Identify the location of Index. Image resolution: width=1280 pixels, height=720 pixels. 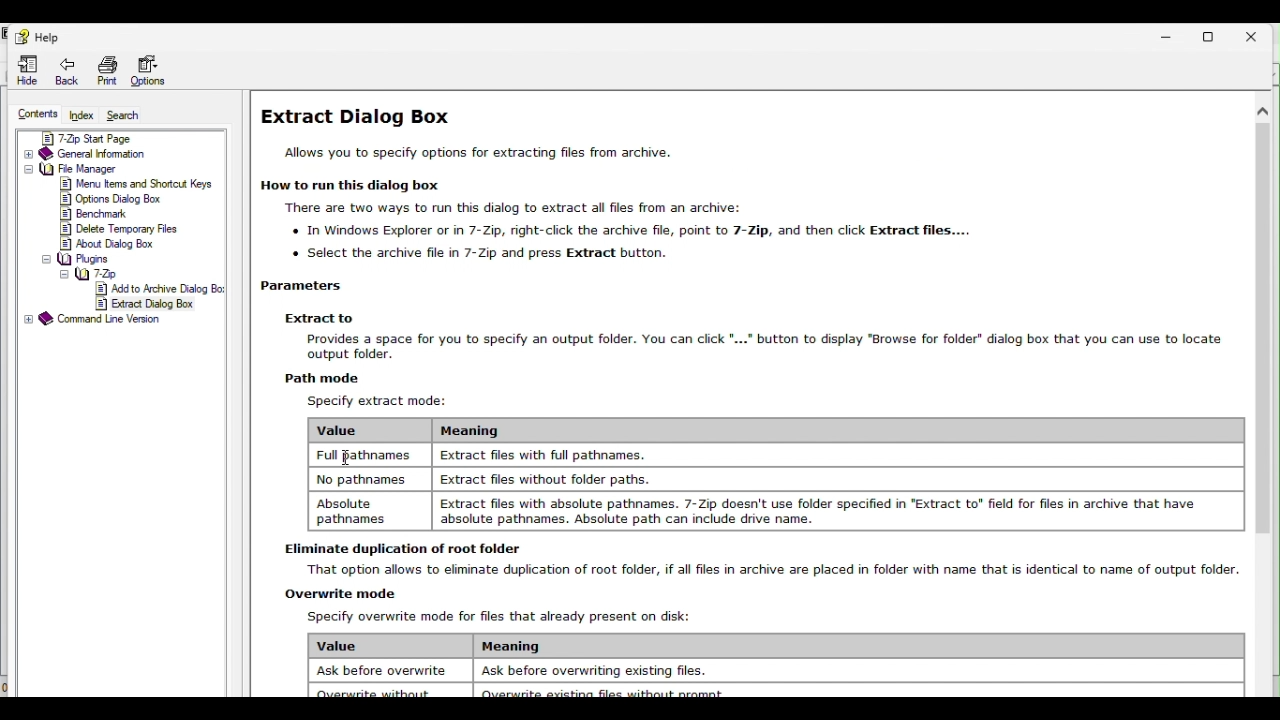
(81, 114).